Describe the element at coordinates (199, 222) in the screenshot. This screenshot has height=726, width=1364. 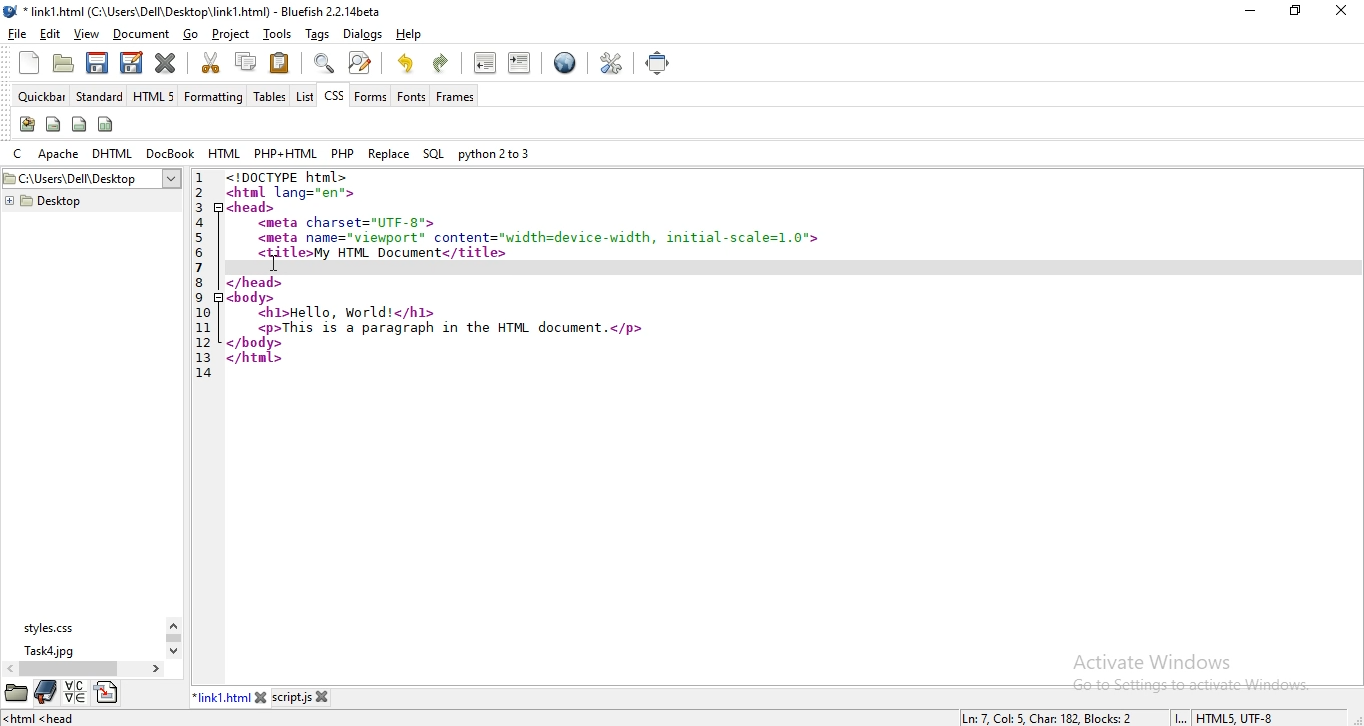
I see `4` at that location.